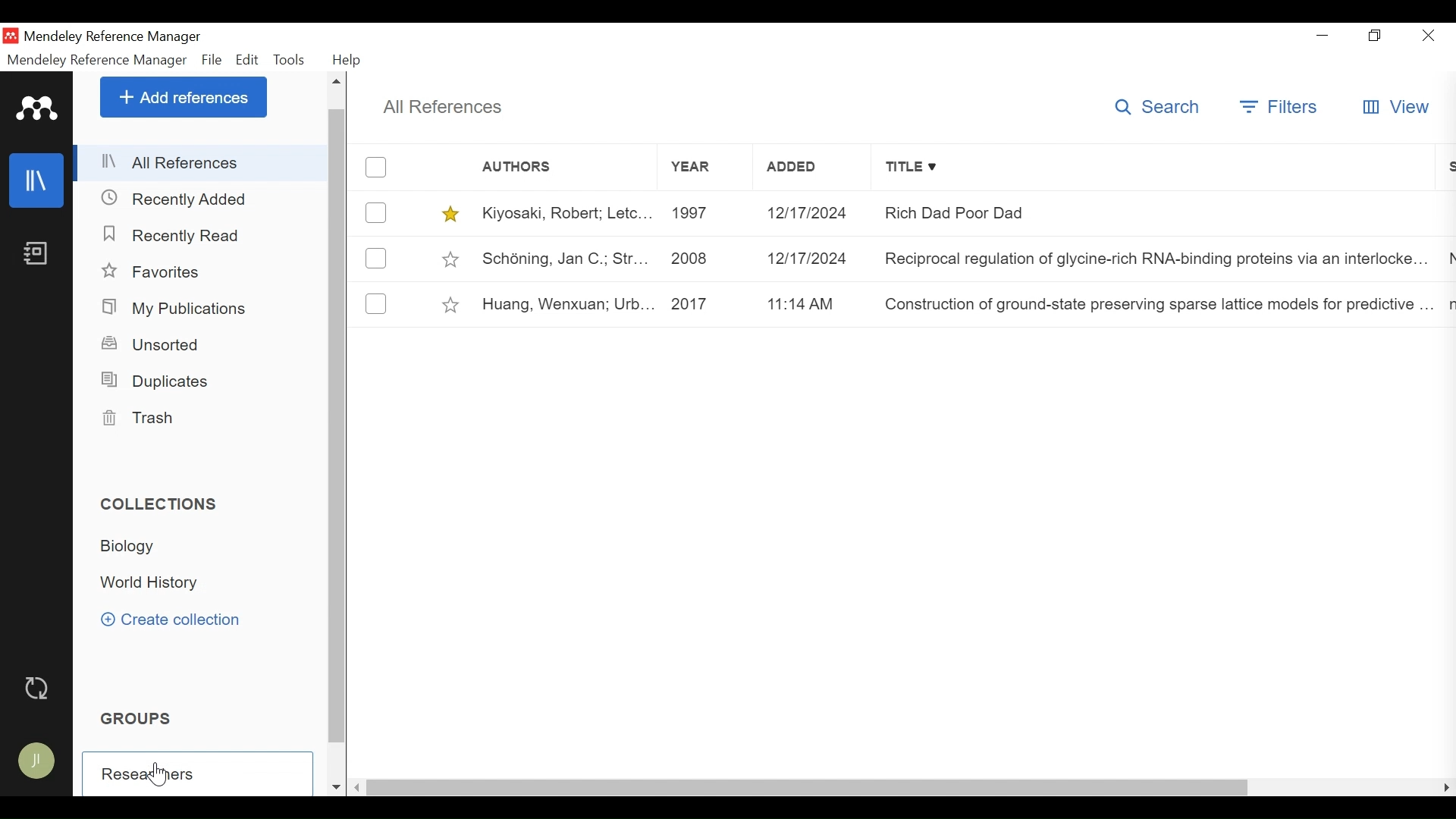 The image size is (1456, 819). I want to click on Vertical Scroll bar, so click(338, 434).